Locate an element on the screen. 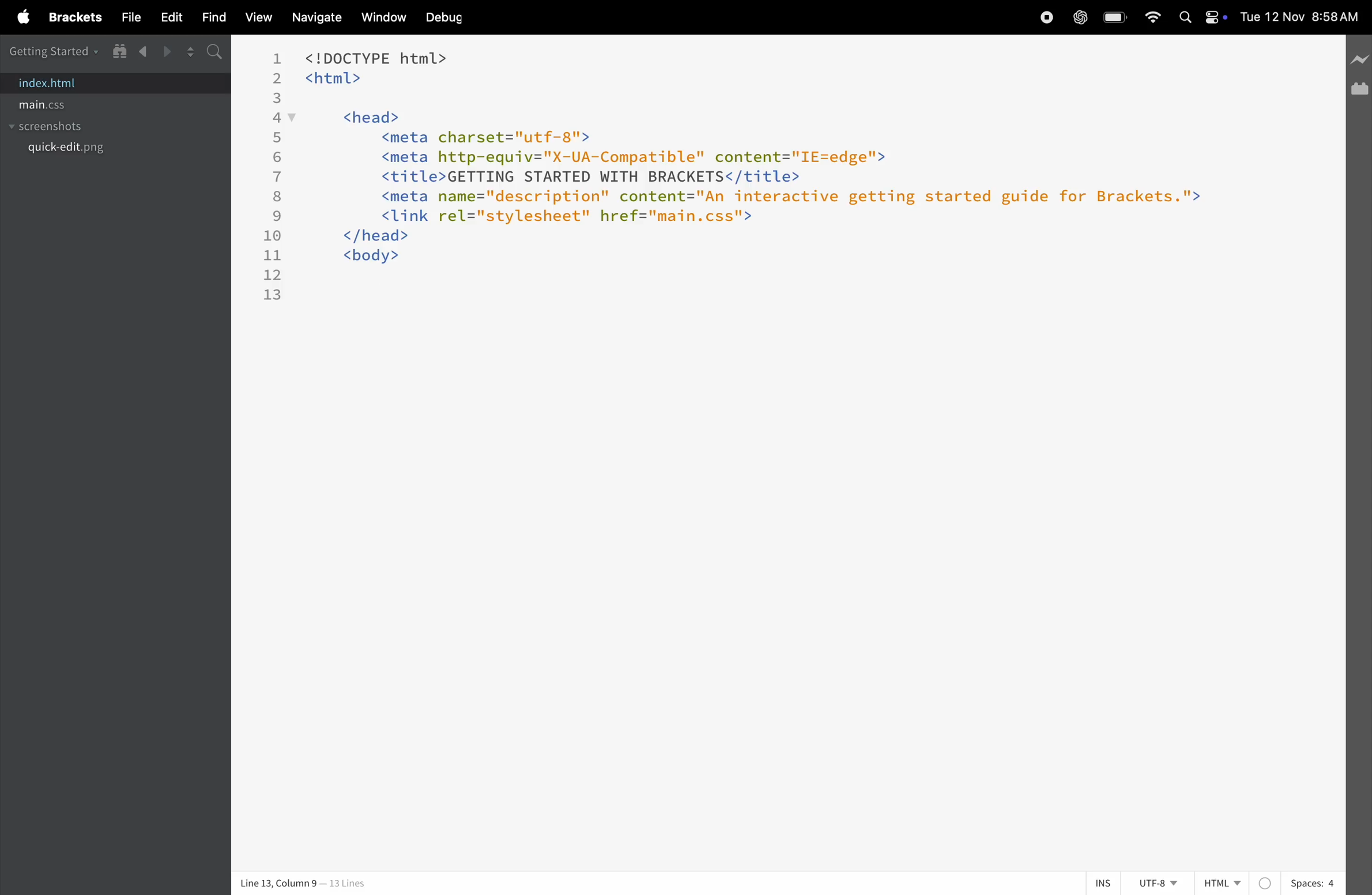  record is located at coordinates (1042, 18).